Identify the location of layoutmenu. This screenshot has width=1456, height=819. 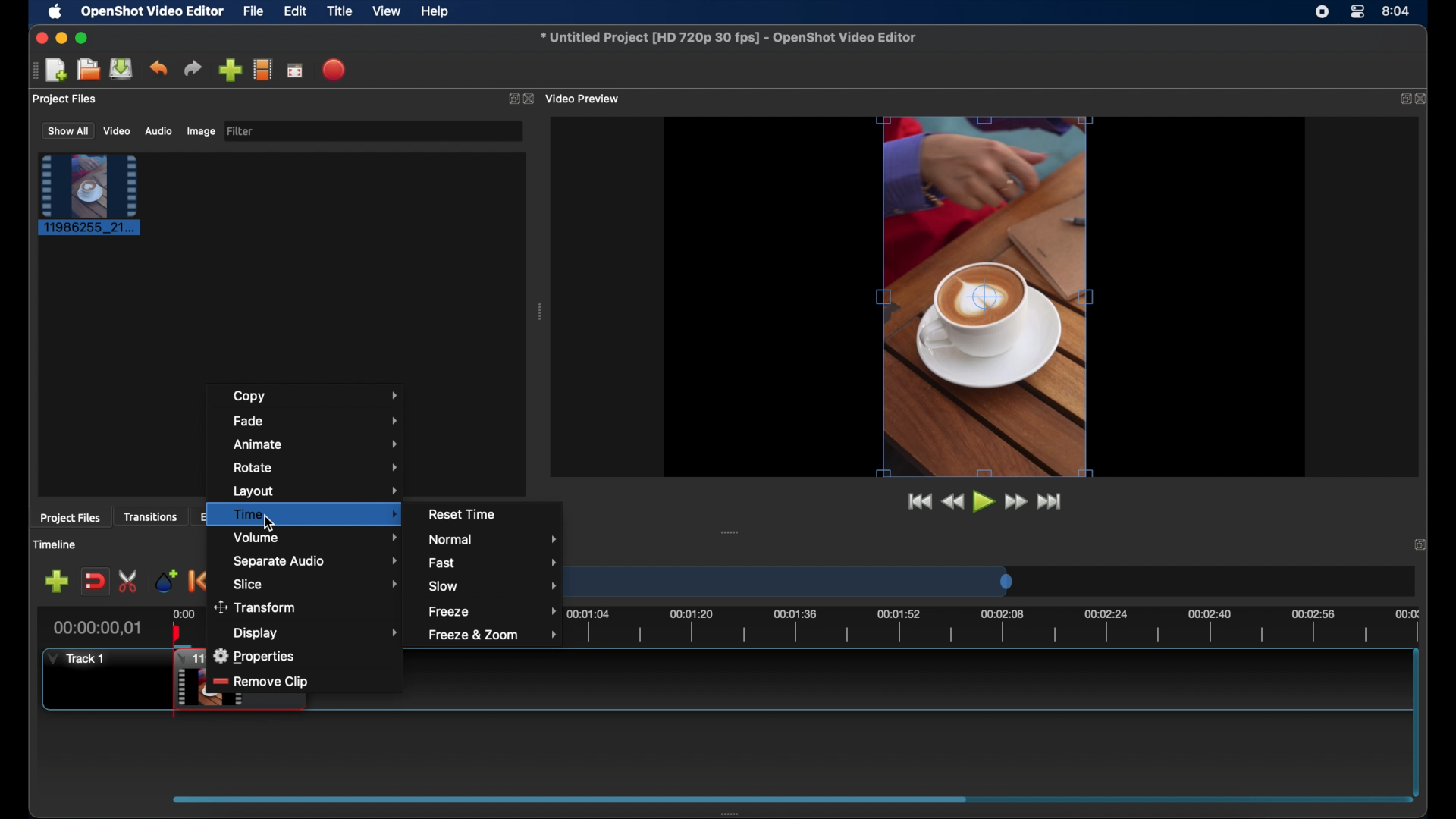
(315, 490).